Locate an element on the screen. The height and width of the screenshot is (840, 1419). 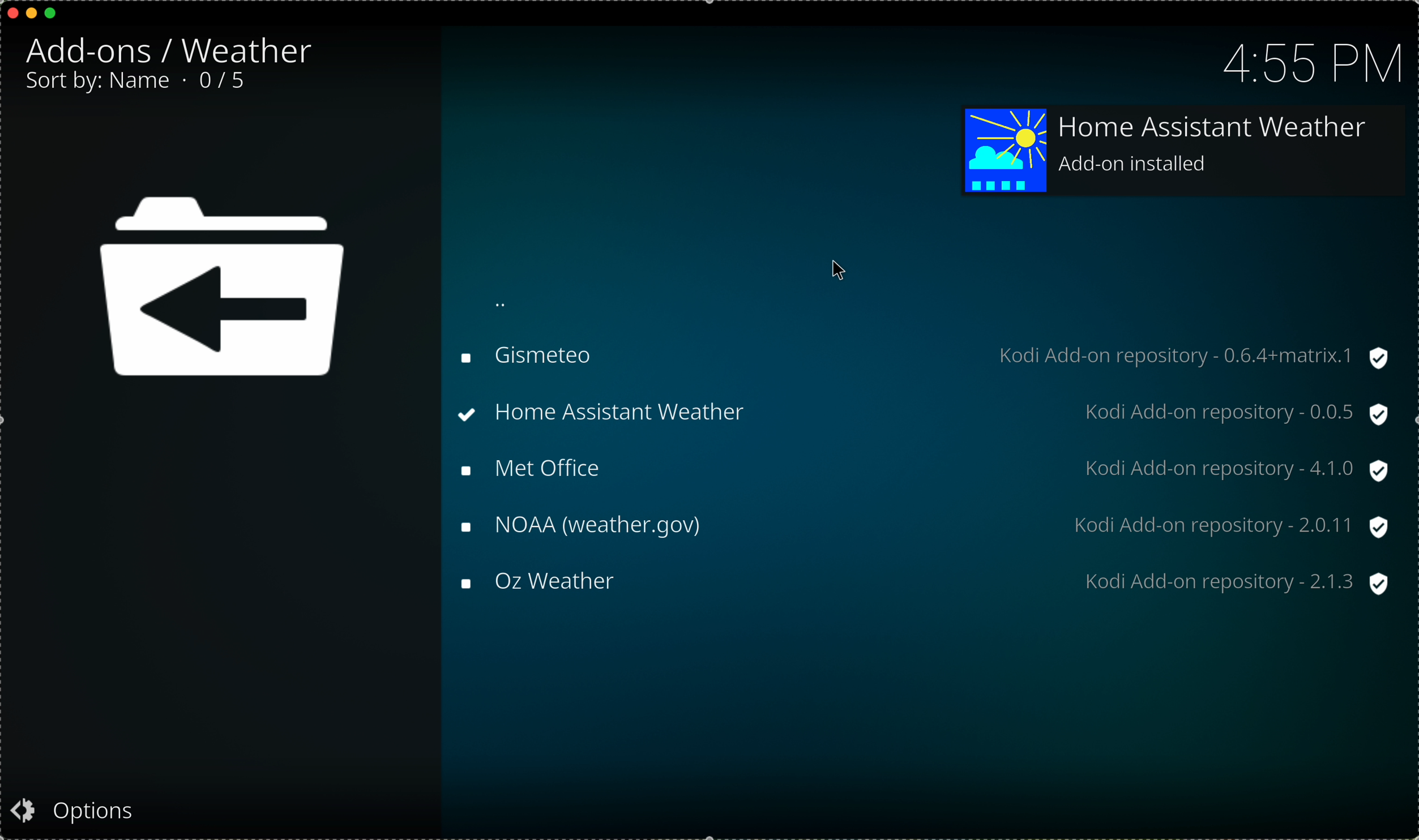
add-on installed is located at coordinates (1186, 149).